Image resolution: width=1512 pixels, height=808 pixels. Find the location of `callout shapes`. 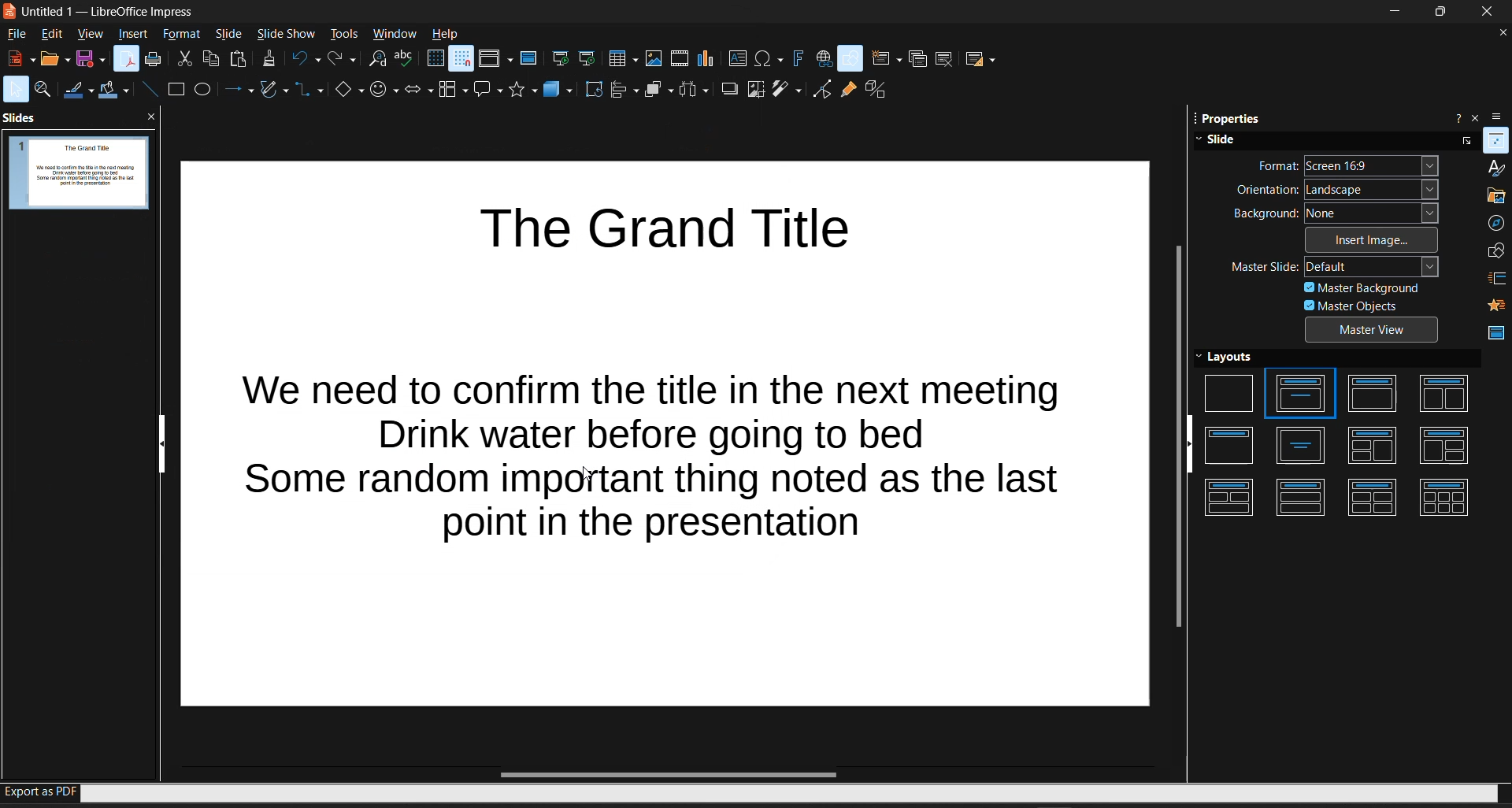

callout shapes is located at coordinates (487, 91).